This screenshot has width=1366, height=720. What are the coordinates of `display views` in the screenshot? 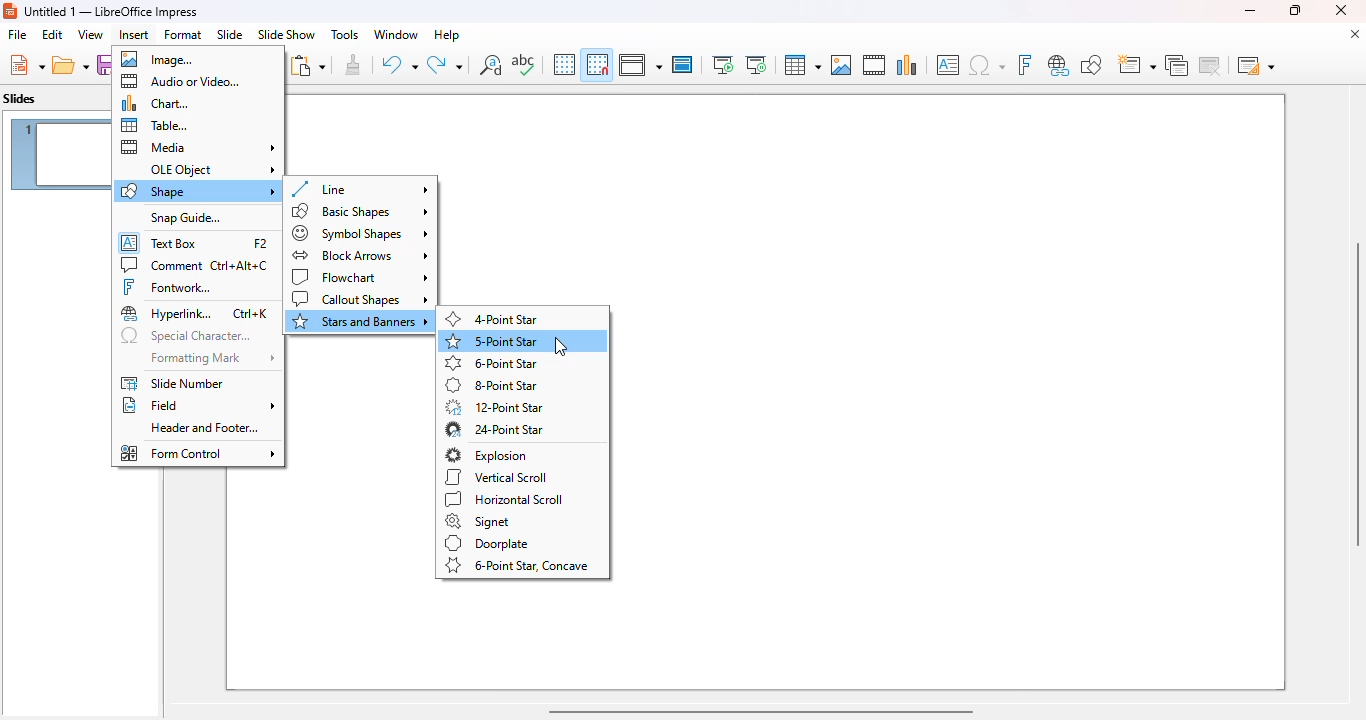 It's located at (640, 65).